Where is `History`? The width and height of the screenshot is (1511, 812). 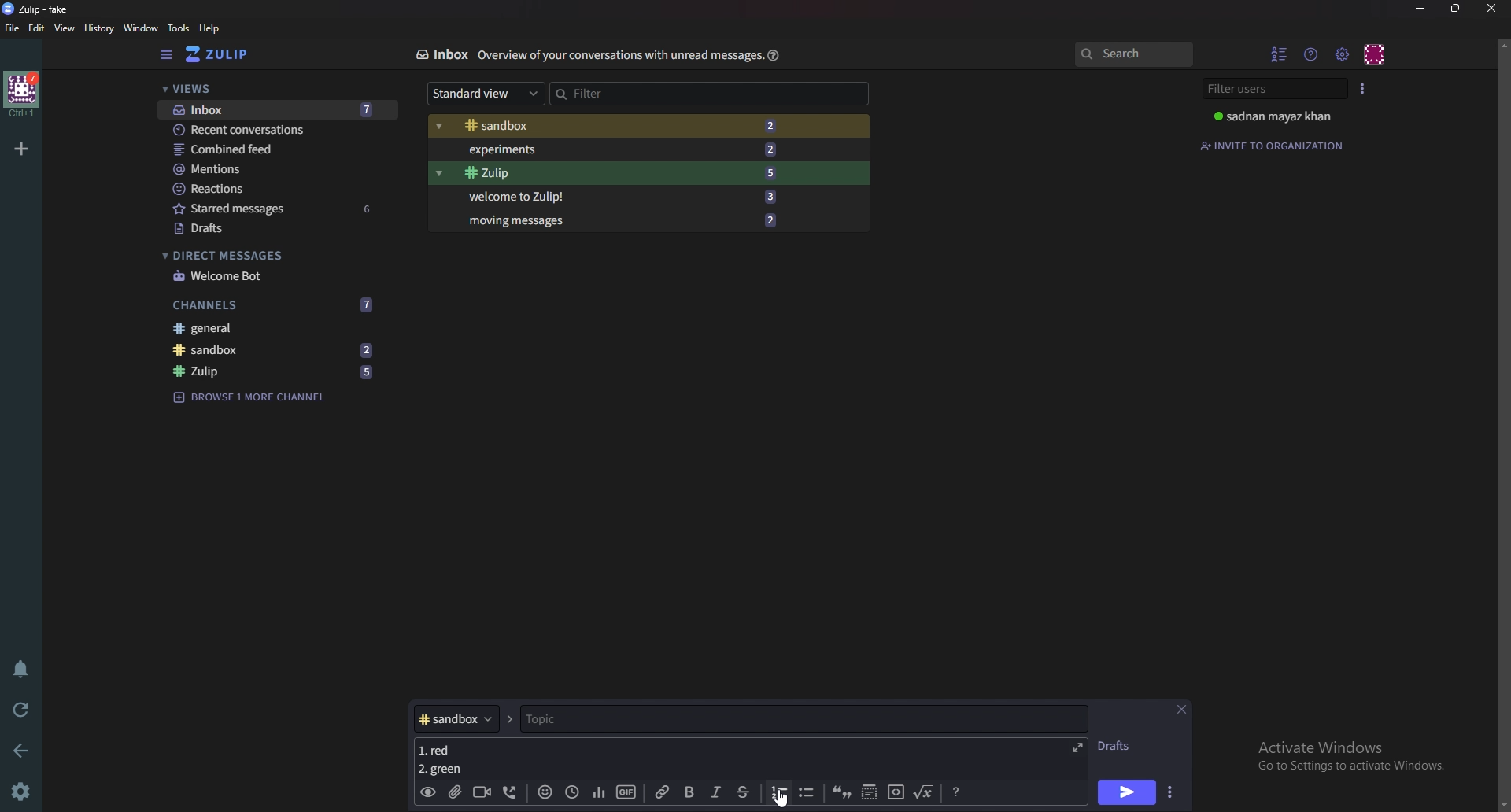 History is located at coordinates (98, 28).